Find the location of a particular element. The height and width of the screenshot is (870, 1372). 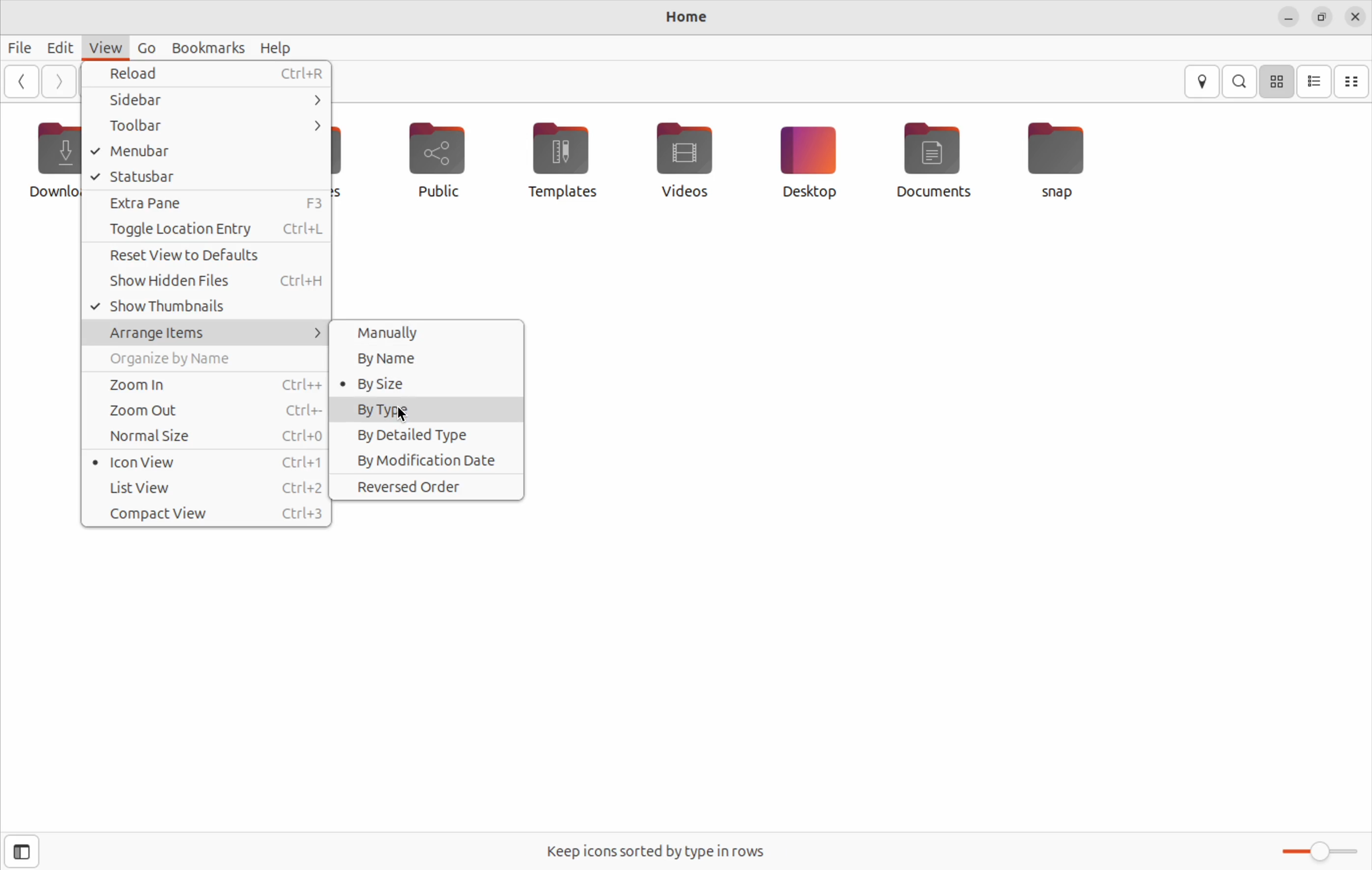

manually is located at coordinates (435, 334).